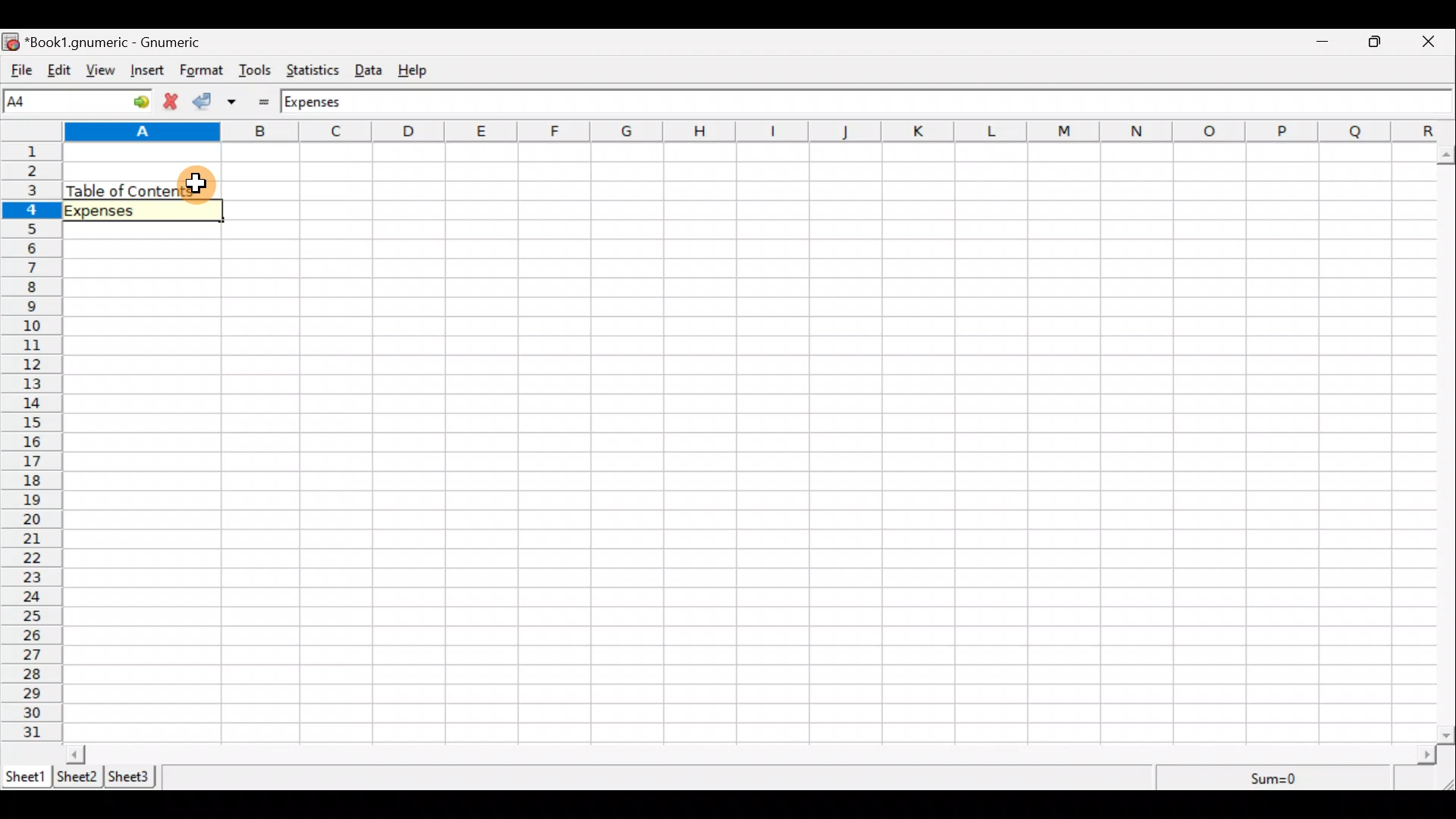  I want to click on numbering column, so click(32, 444).